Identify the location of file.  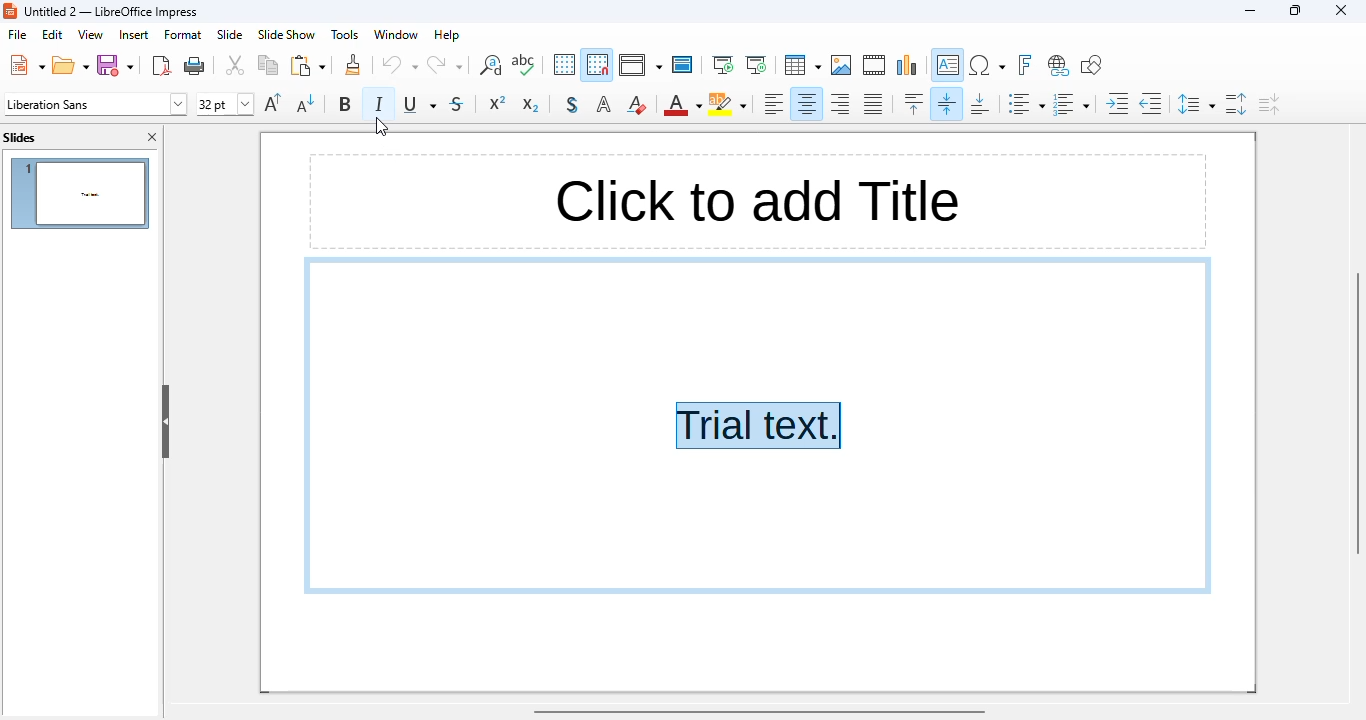
(17, 34).